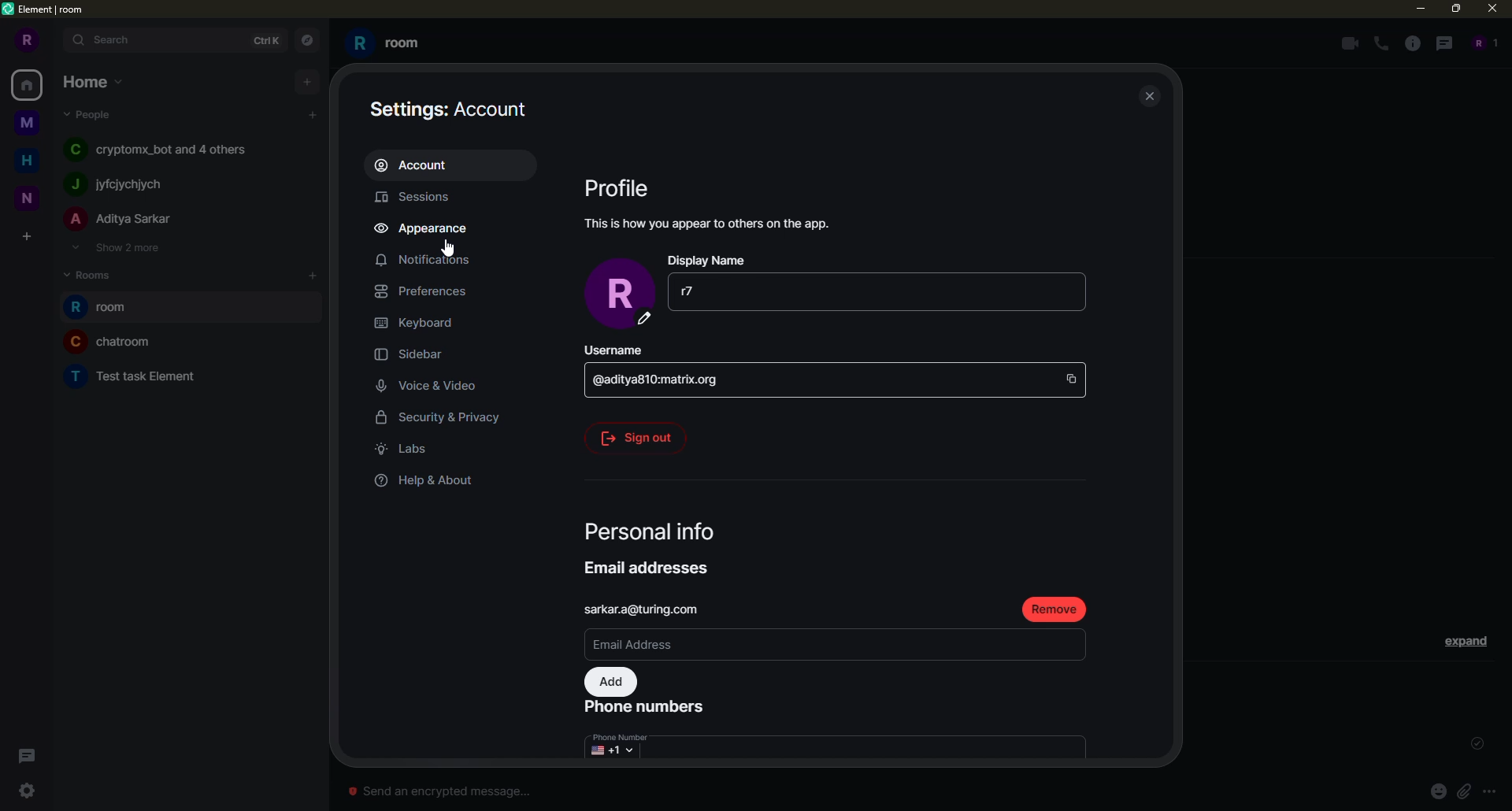 The height and width of the screenshot is (811, 1512). I want to click on voice call, so click(1383, 44).